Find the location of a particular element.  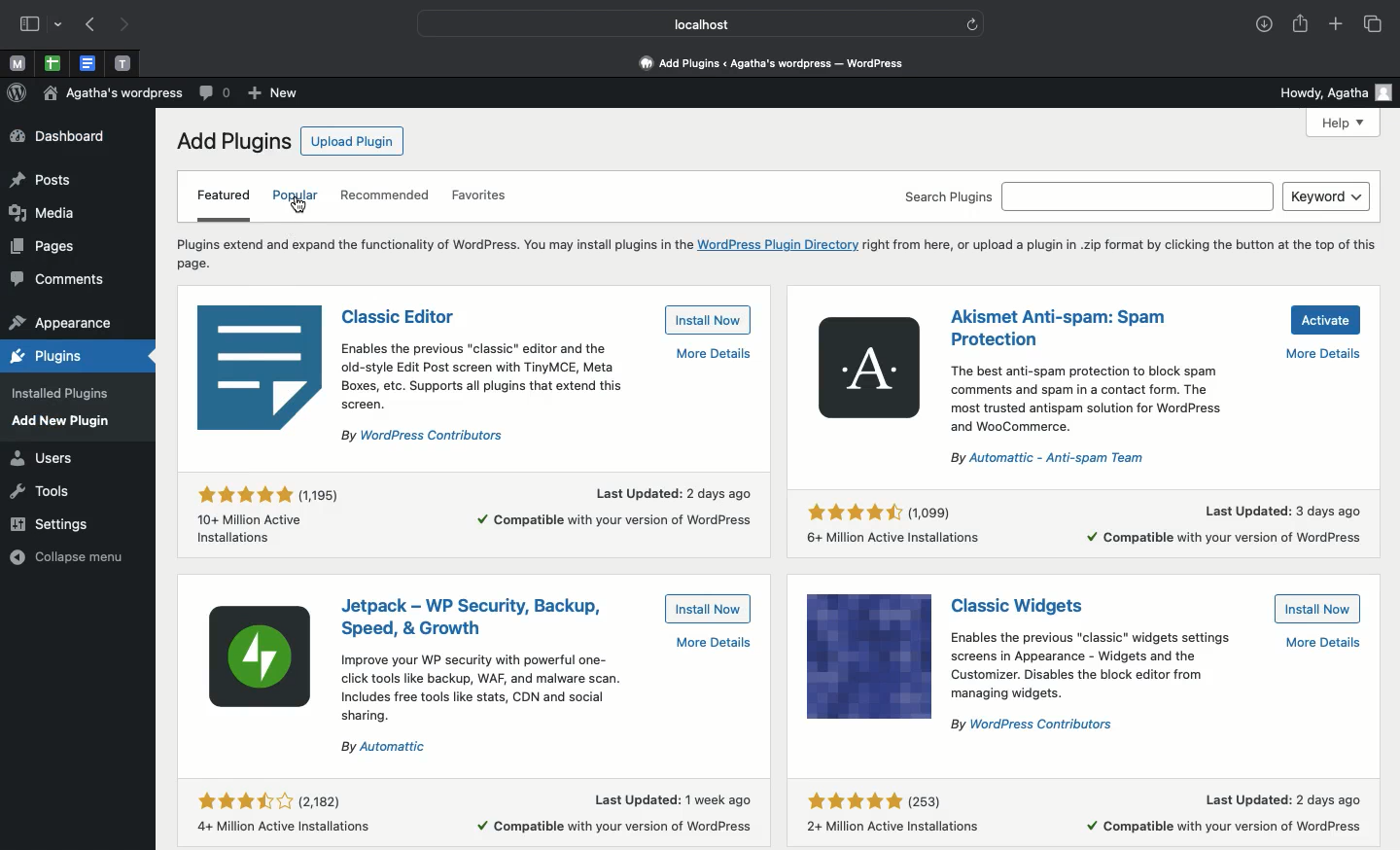

Dashboard is located at coordinates (767, 65).